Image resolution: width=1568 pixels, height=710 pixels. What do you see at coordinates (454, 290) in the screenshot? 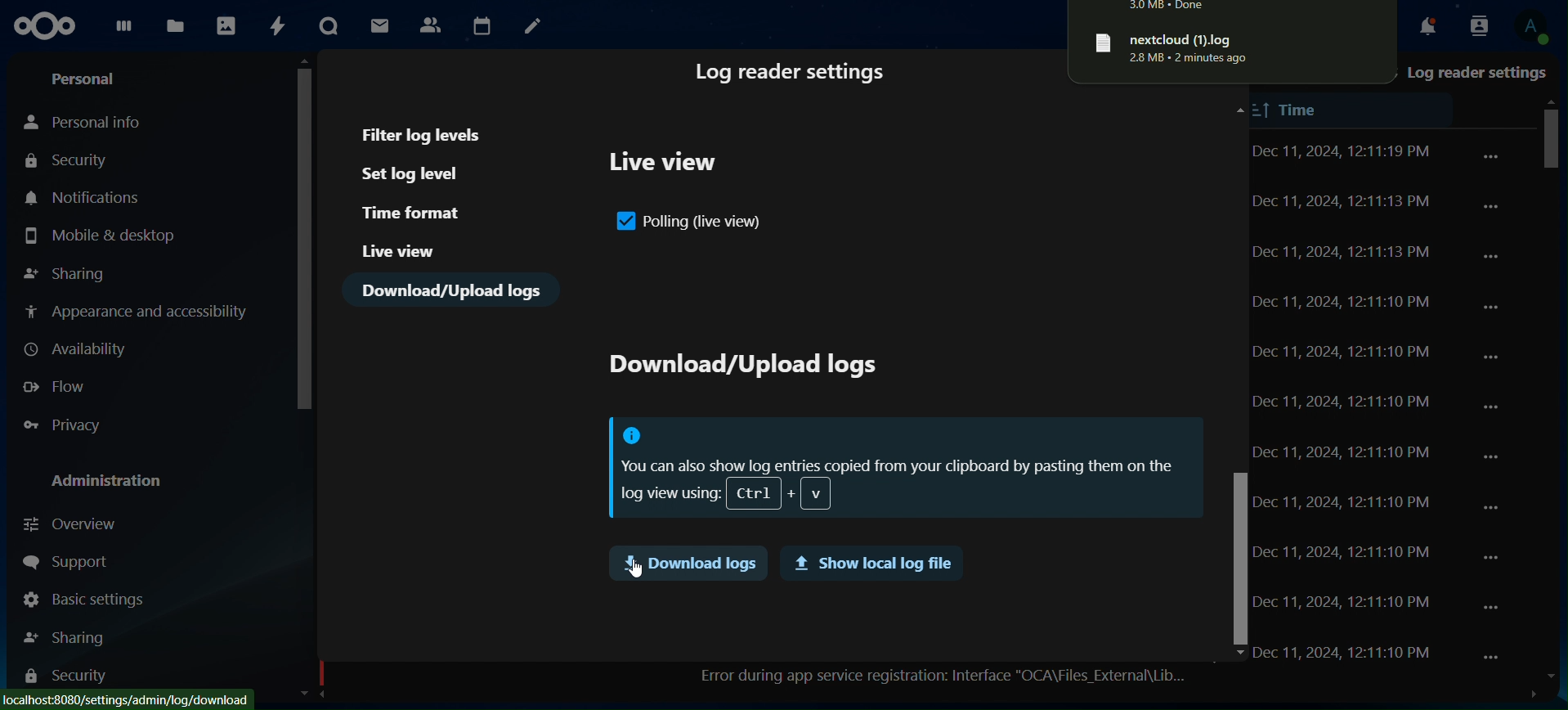
I see `download/Upload logs` at bounding box center [454, 290].